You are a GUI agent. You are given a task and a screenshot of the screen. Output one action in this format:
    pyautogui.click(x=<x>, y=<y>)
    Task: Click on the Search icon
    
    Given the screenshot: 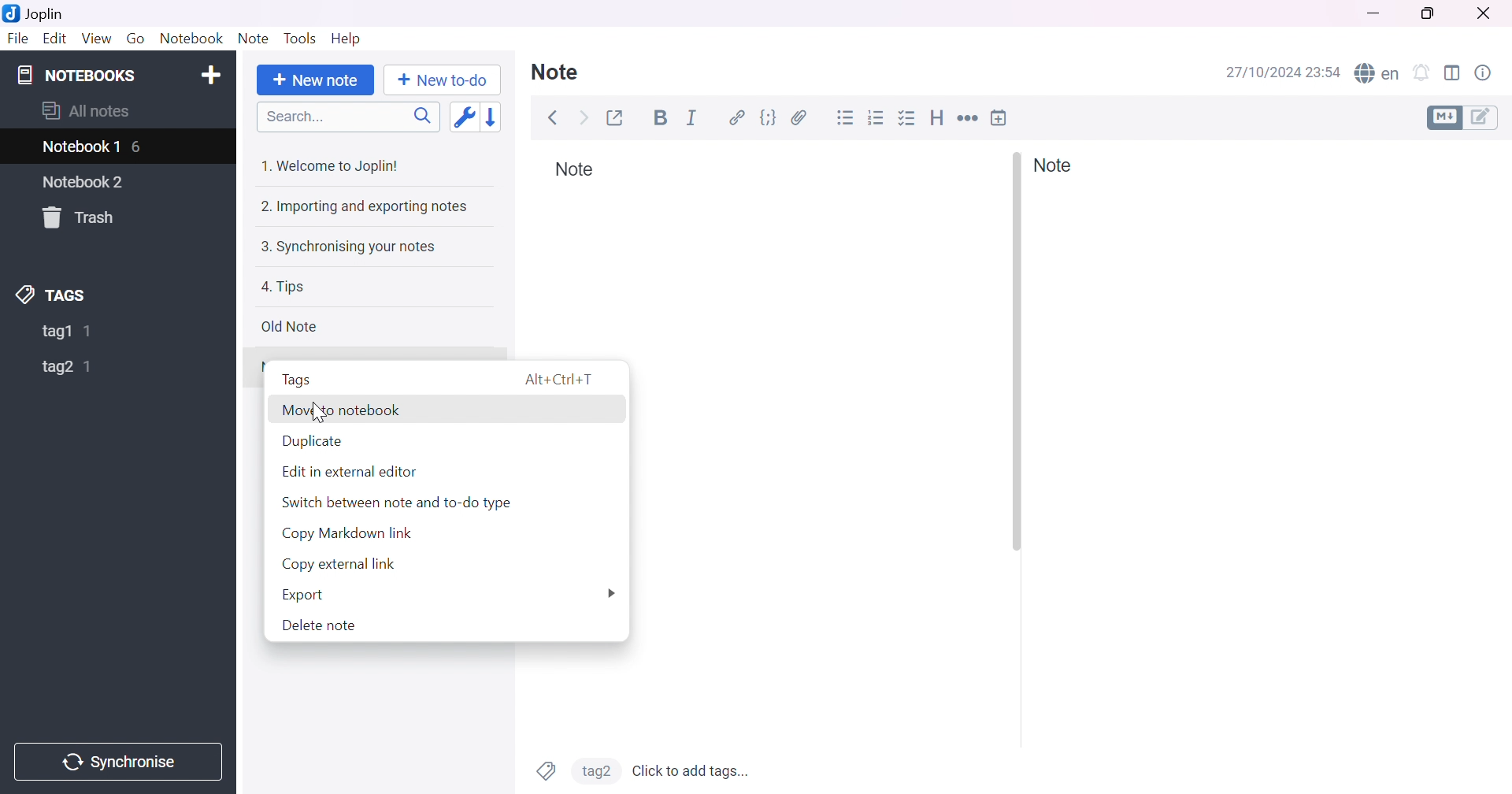 What is the action you would take?
    pyautogui.click(x=418, y=118)
    